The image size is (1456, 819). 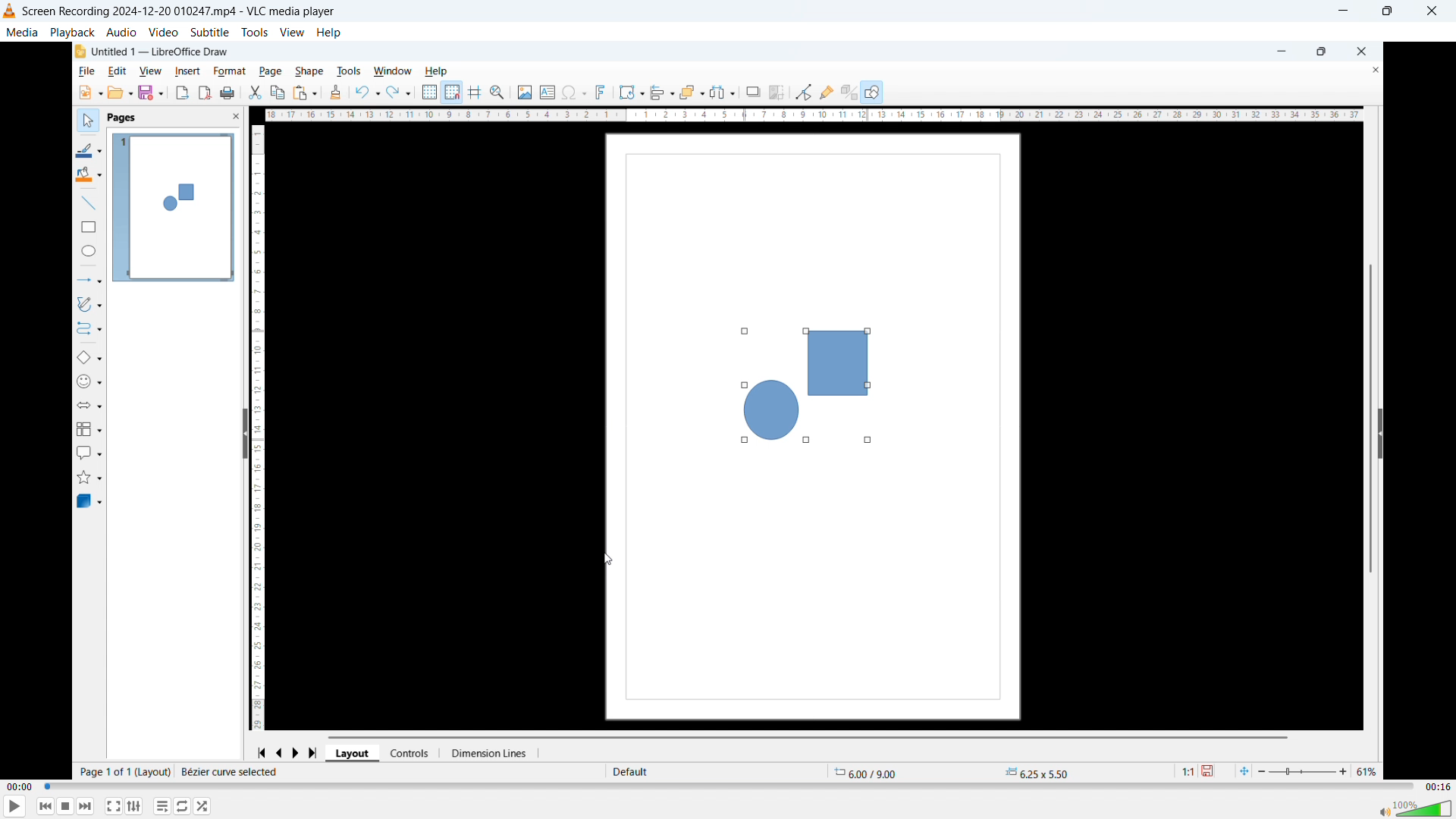 I want to click on Show advanced settings , so click(x=133, y=806).